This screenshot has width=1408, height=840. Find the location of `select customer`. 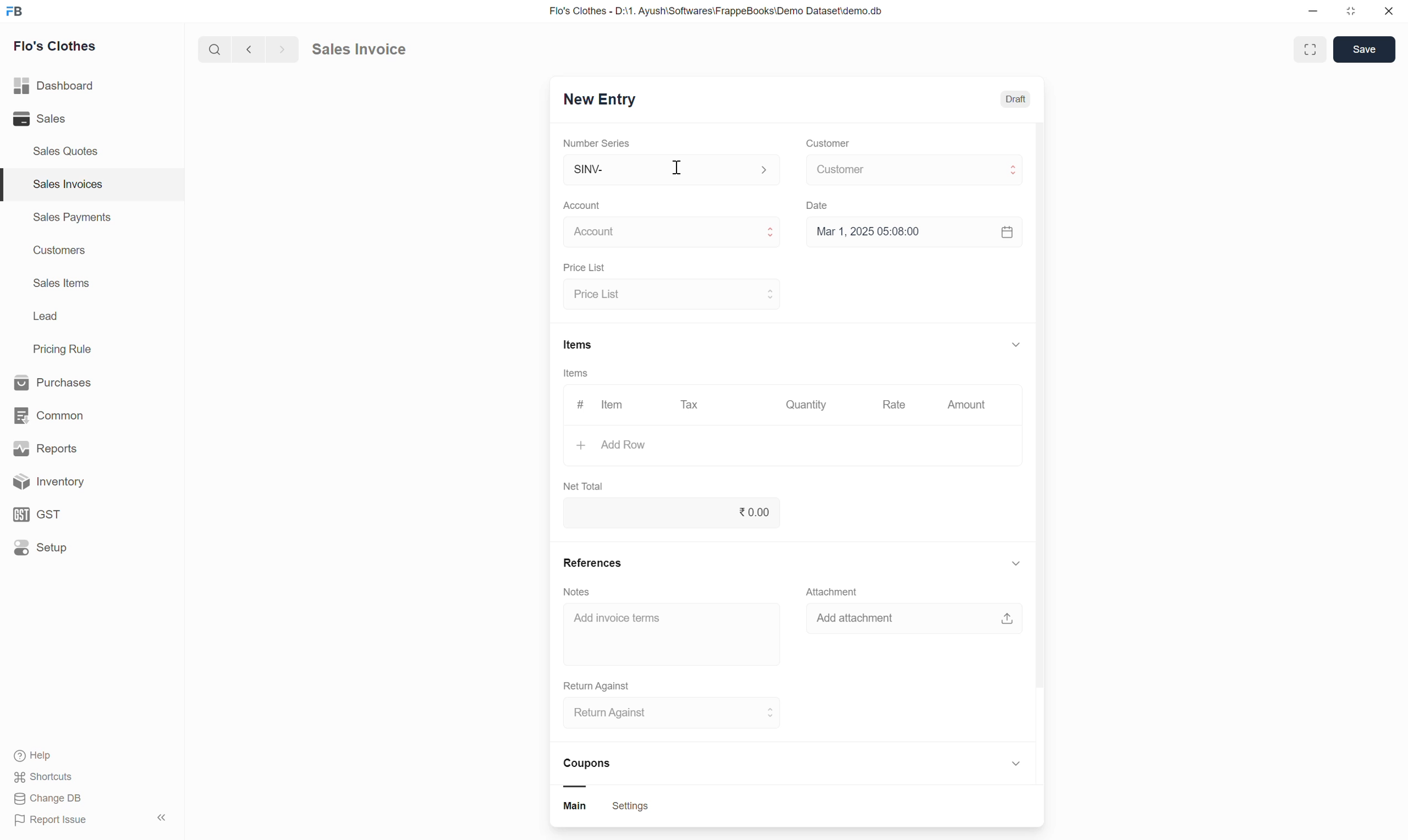

select customer is located at coordinates (911, 172).